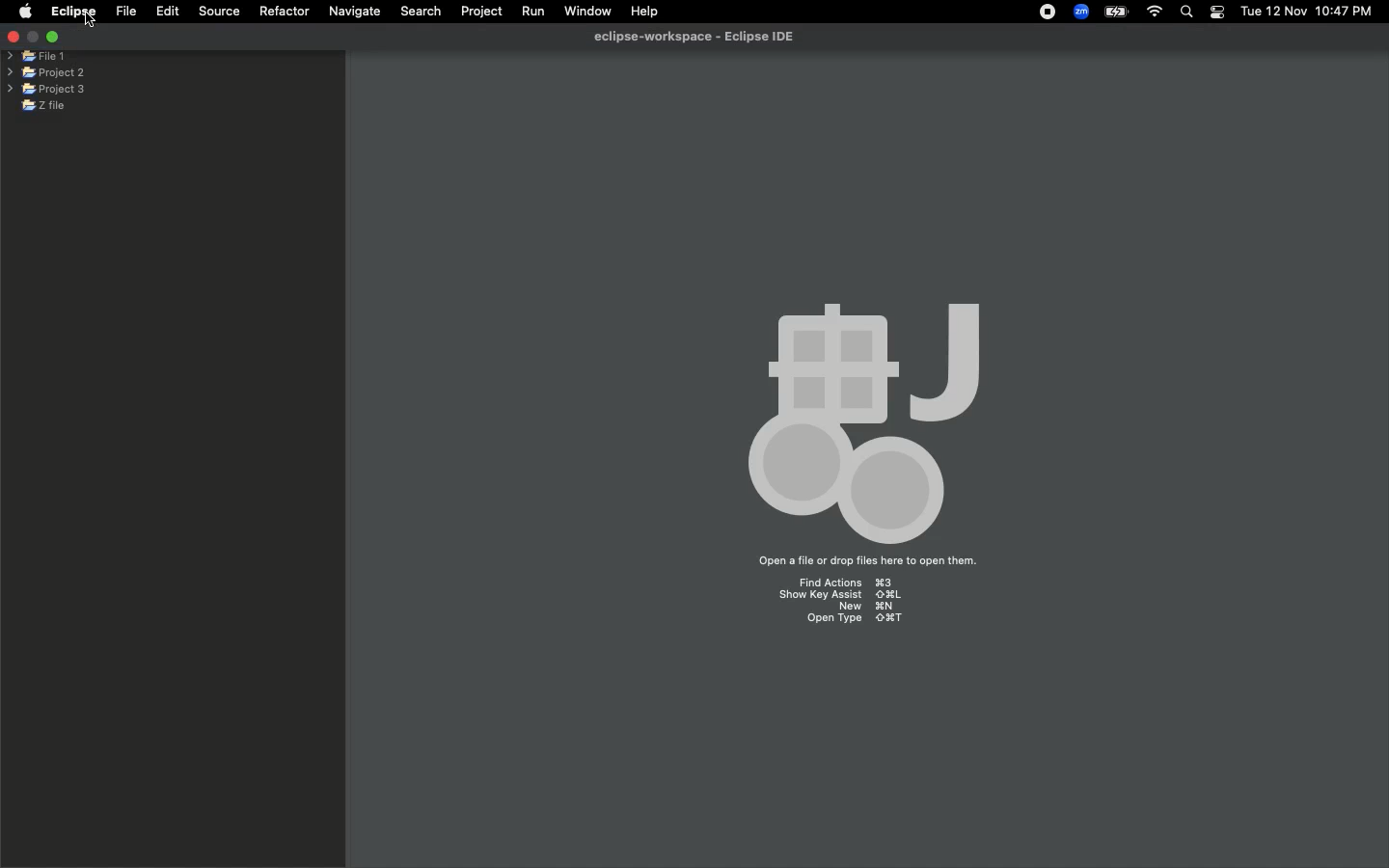  What do you see at coordinates (865, 457) in the screenshot?
I see `Workspace` at bounding box center [865, 457].